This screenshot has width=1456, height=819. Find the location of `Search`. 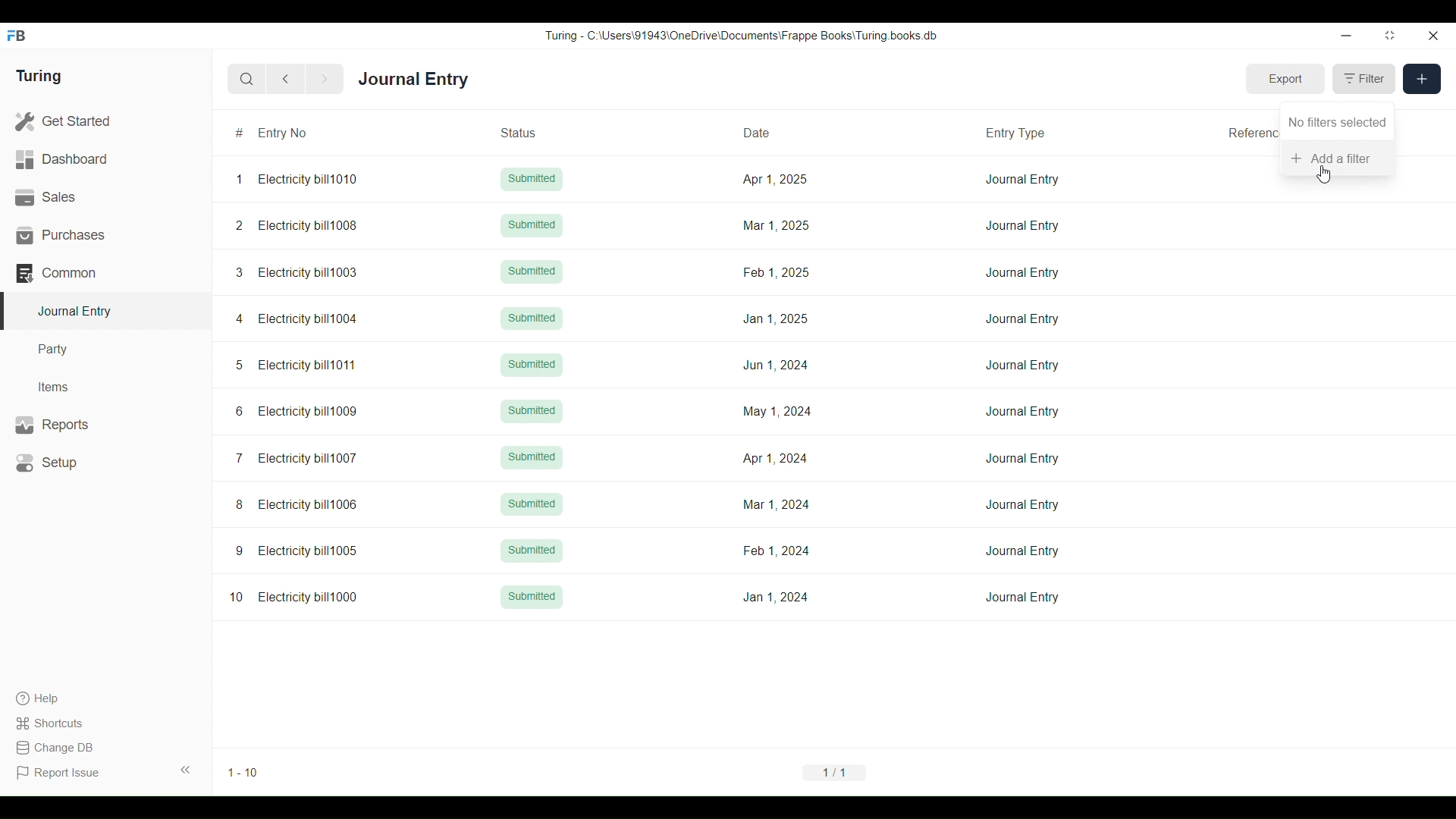

Search is located at coordinates (246, 80).